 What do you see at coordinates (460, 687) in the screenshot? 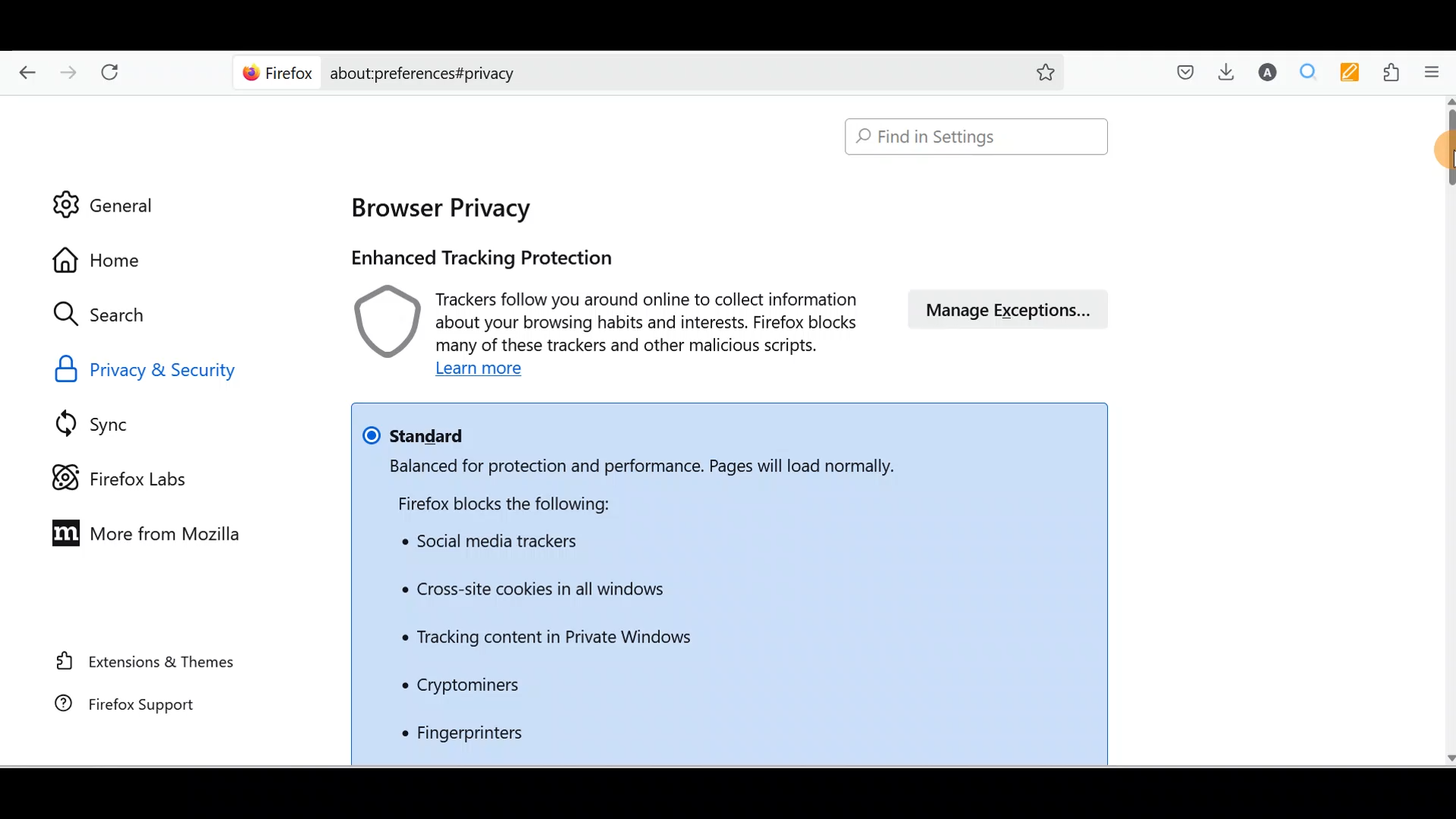
I see `* Cryptominers` at bounding box center [460, 687].